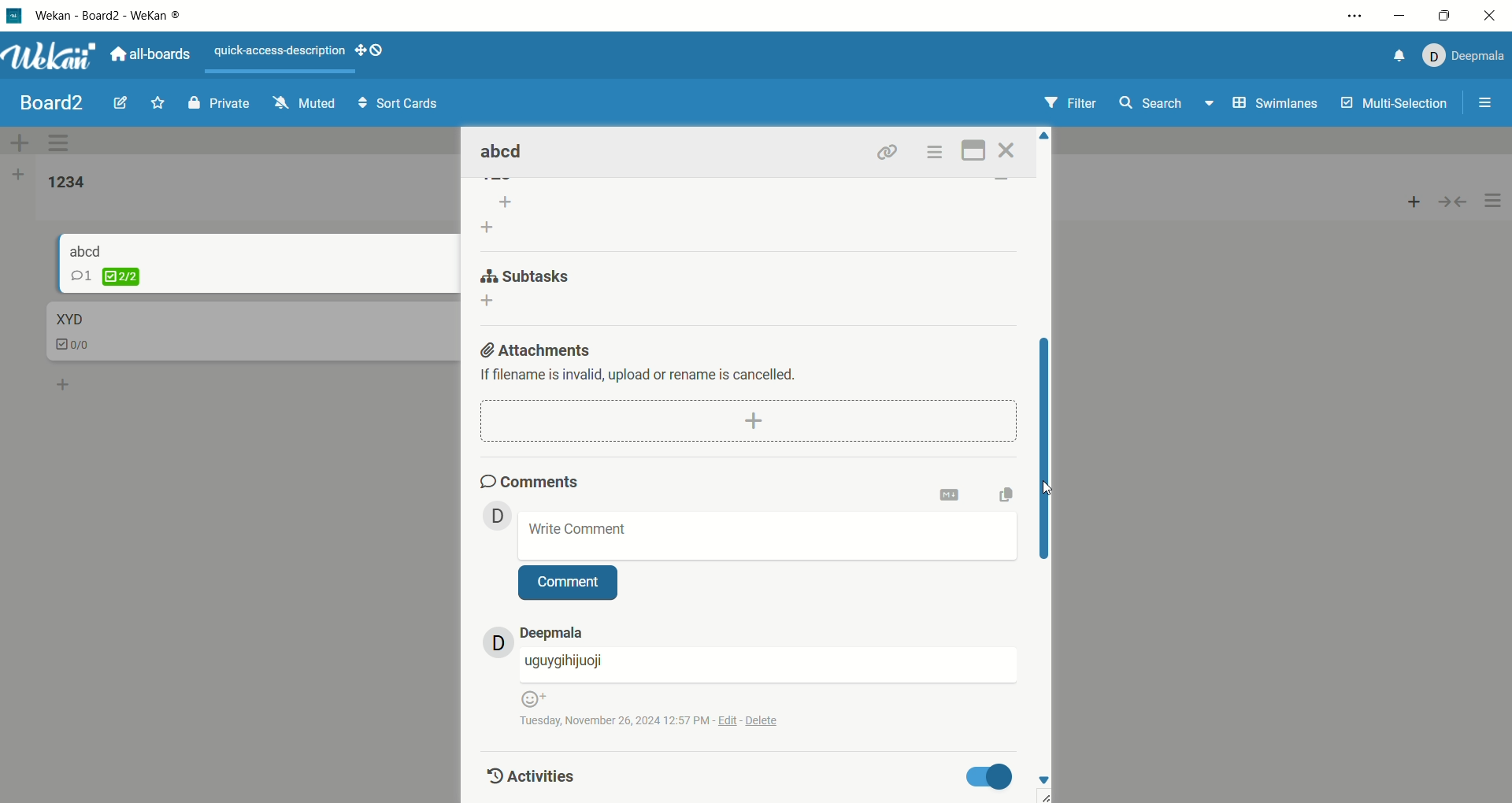  Describe the element at coordinates (50, 58) in the screenshot. I see `wekan` at that location.